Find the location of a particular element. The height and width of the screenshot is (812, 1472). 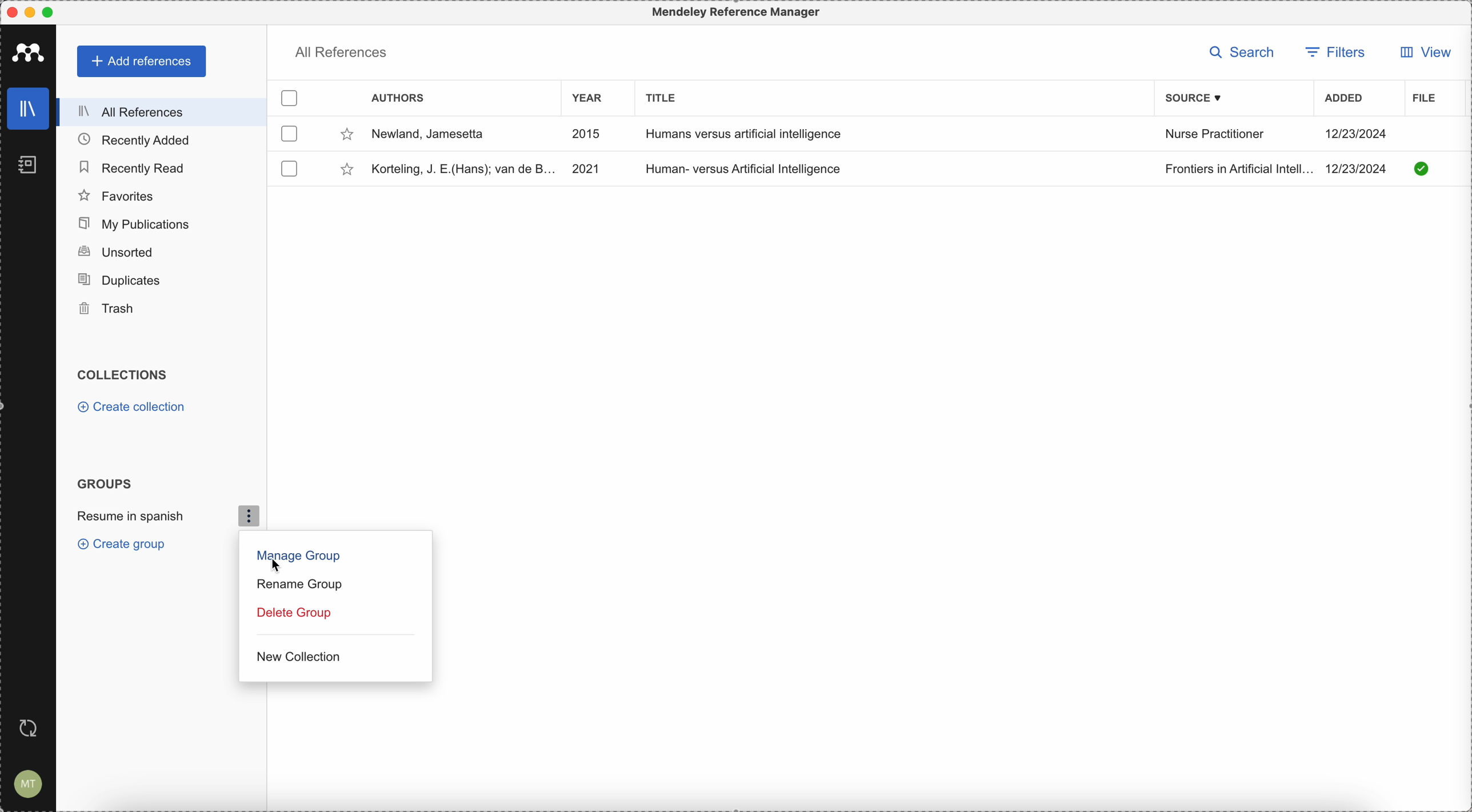

Korteling, J. E. (Hans); van de B... is located at coordinates (459, 169).